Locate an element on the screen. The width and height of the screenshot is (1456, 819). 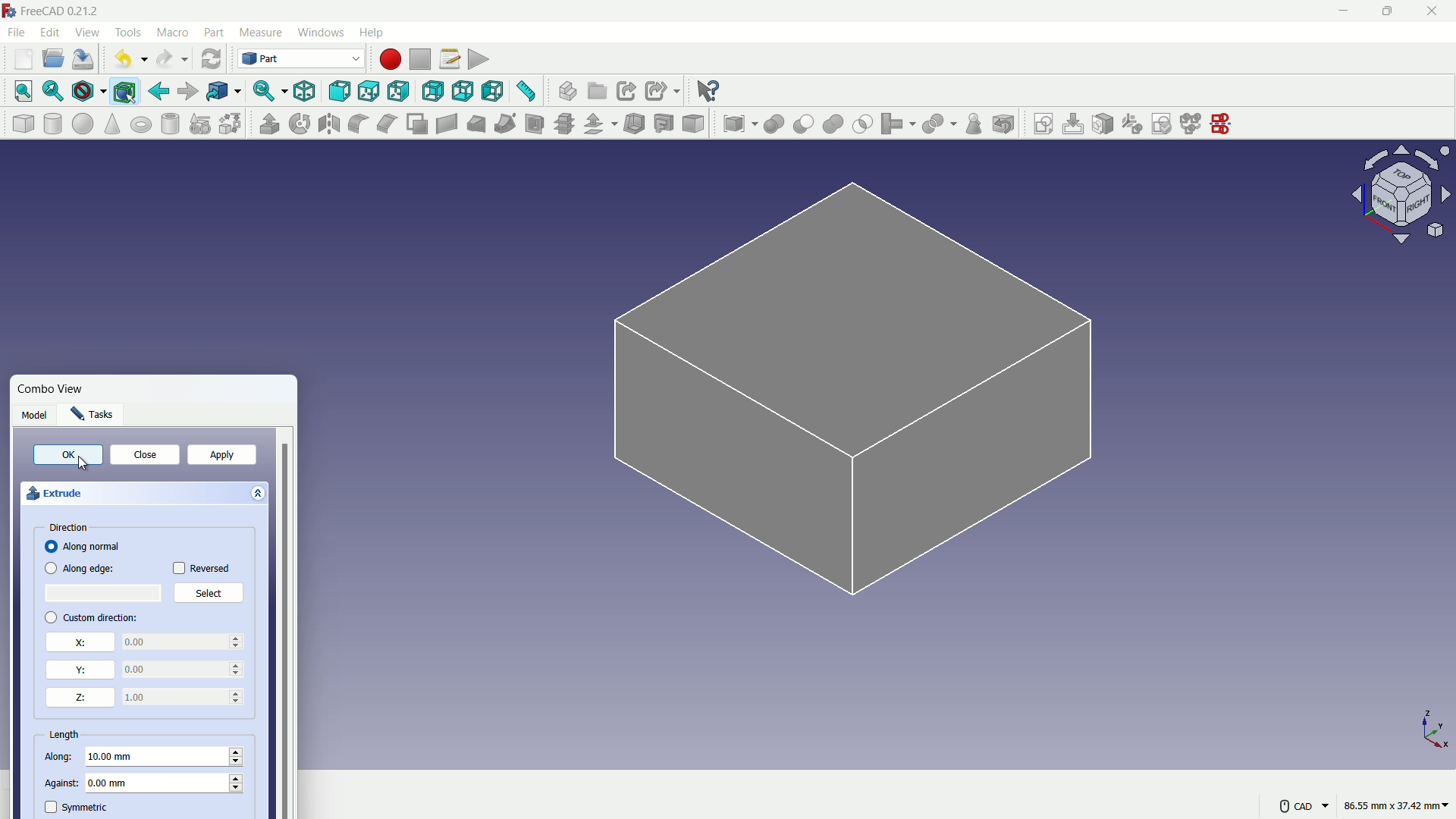
sweep is located at coordinates (505, 125).